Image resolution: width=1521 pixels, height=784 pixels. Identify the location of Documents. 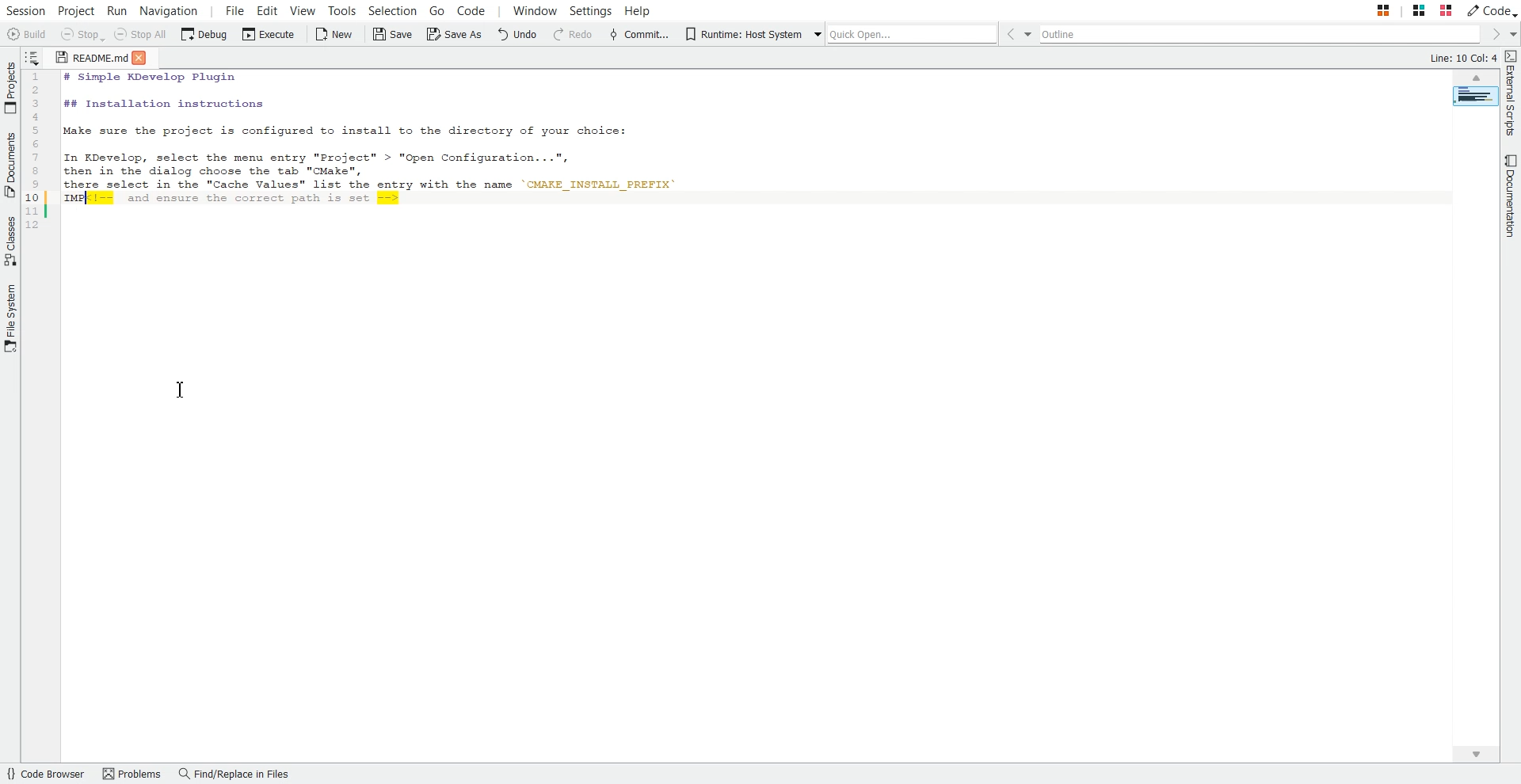
(10, 165).